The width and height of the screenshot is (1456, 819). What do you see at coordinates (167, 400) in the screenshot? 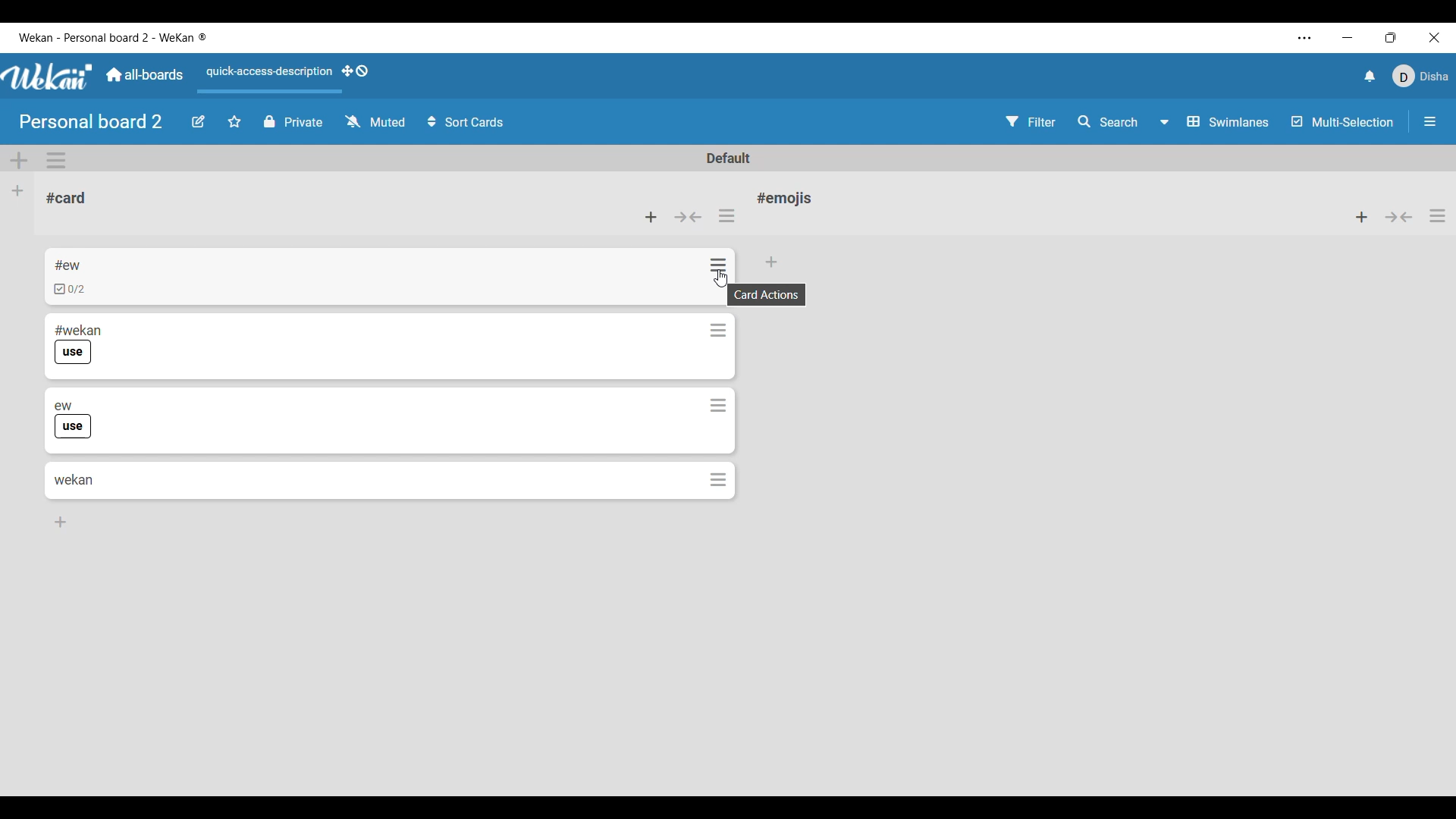
I see `Card 3` at bounding box center [167, 400].